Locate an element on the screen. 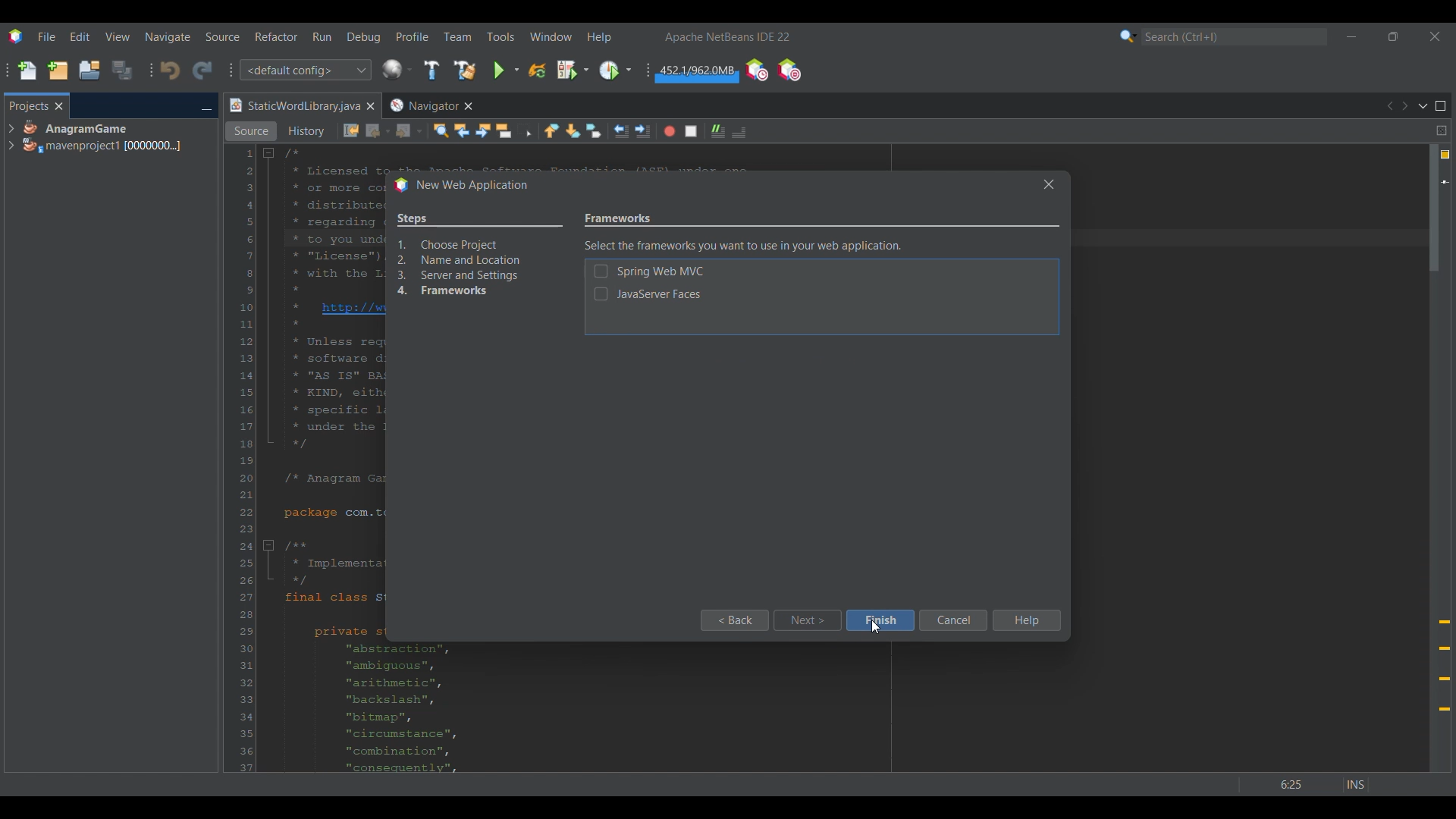 Image resolution: width=1456 pixels, height=819 pixels. Other tab is located at coordinates (430, 105).